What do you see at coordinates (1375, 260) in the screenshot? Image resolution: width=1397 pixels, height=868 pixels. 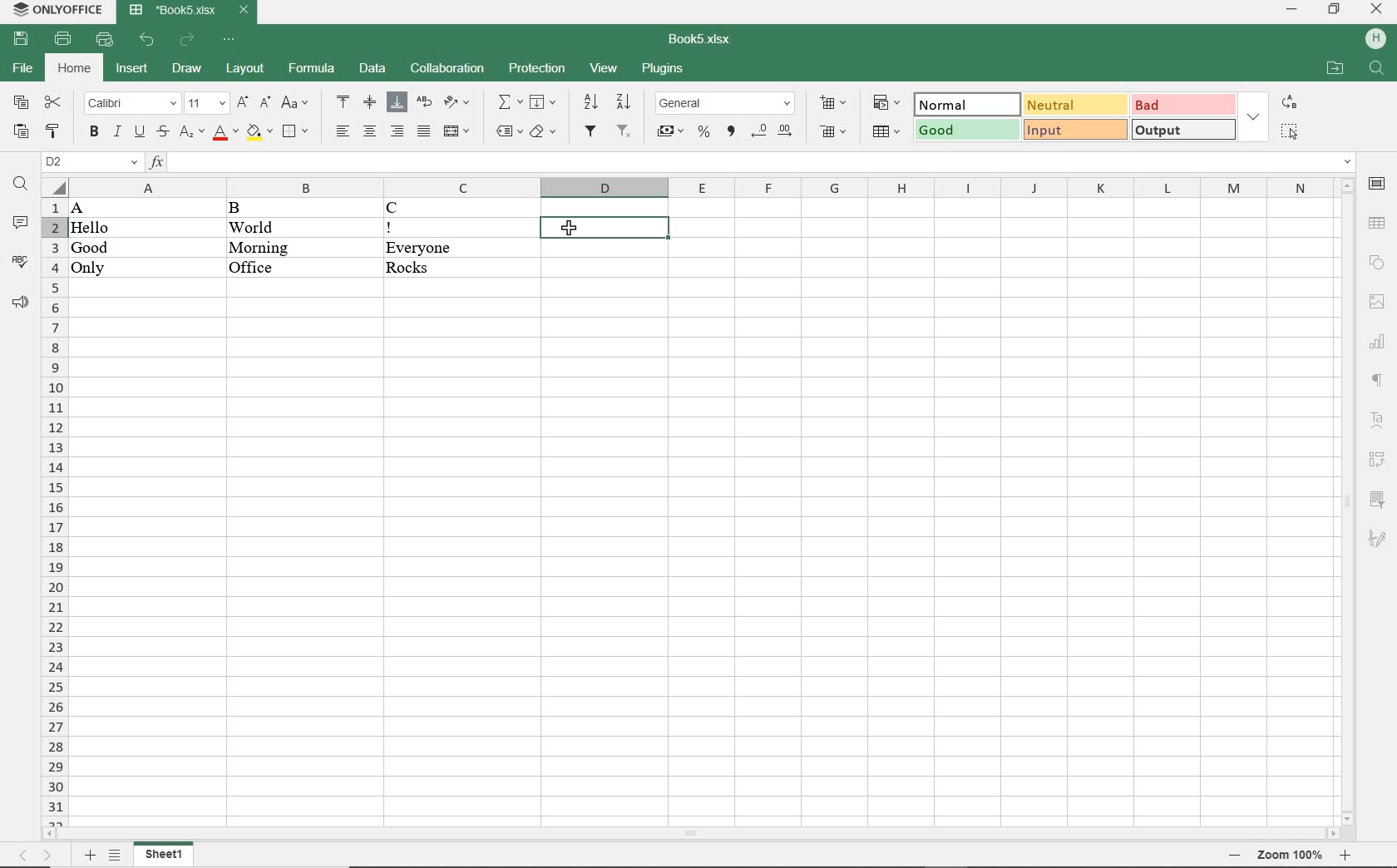 I see `SHAPE` at bounding box center [1375, 260].